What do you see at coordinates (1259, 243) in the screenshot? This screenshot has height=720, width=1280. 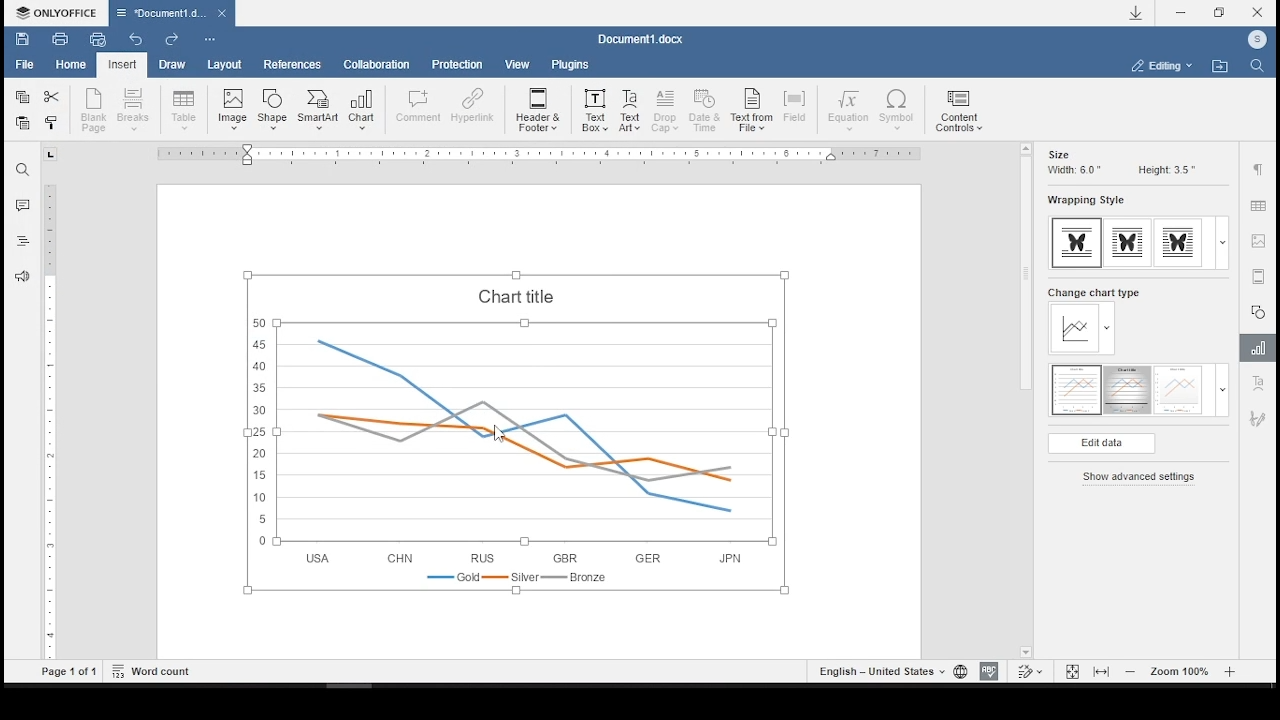 I see `image settings` at bounding box center [1259, 243].